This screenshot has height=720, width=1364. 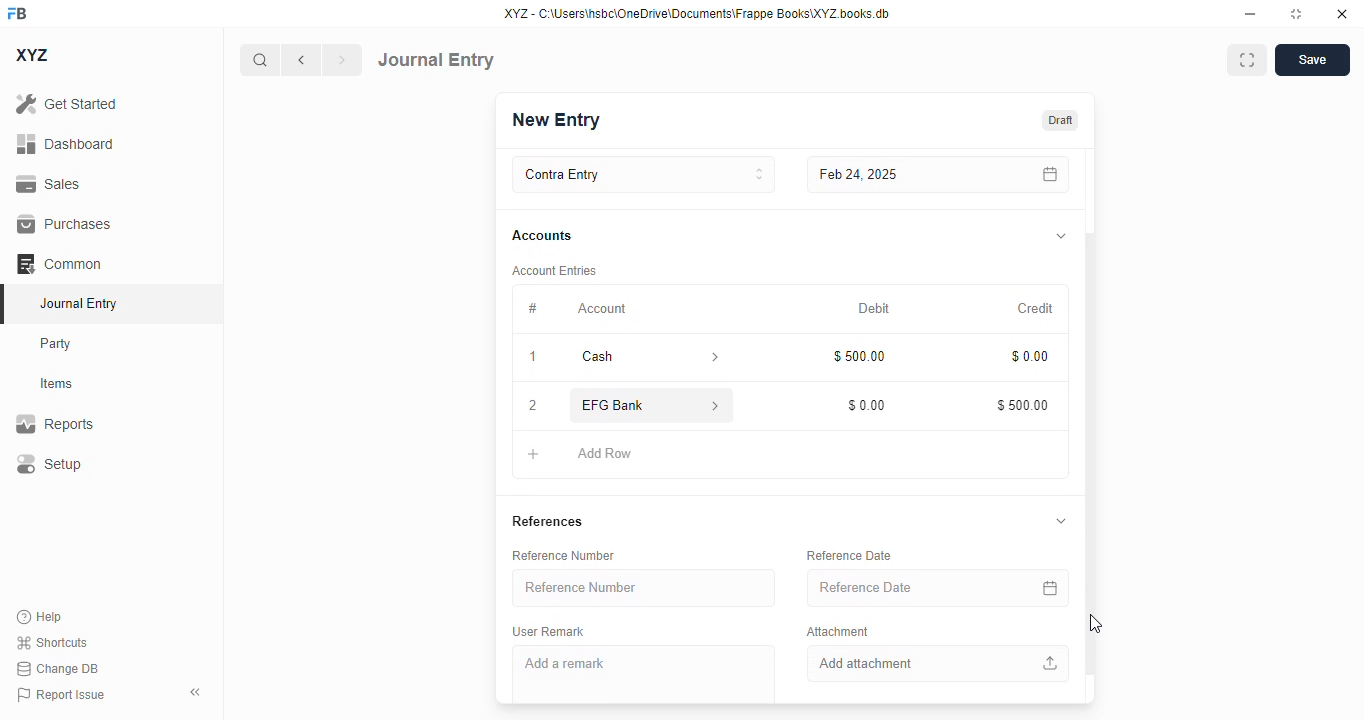 What do you see at coordinates (620, 405) in the screenshot?
I see `EFG Bank` at bounding box center [620, 405].